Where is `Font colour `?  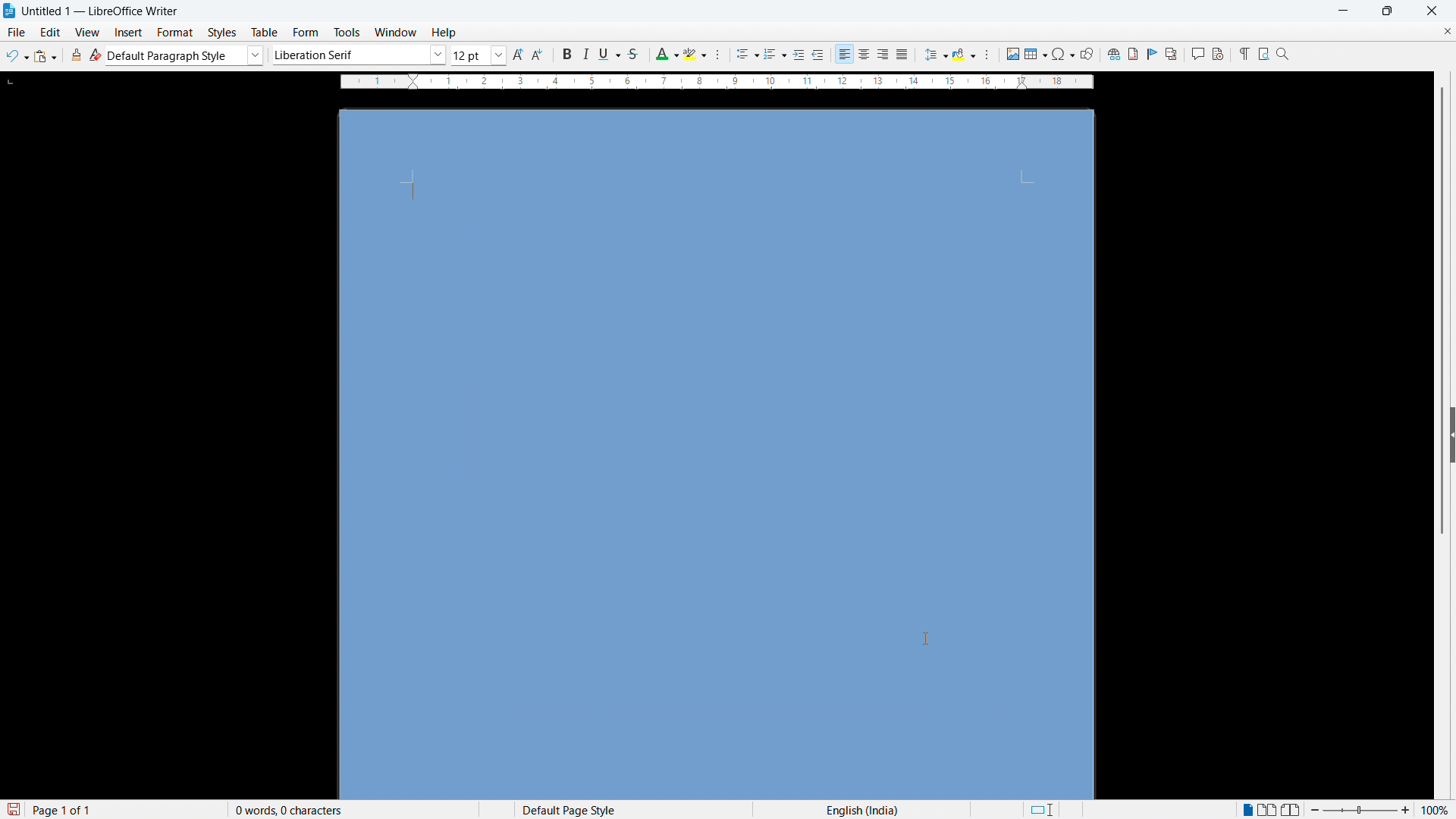 Font colour  is located at coordinates (666, 55).